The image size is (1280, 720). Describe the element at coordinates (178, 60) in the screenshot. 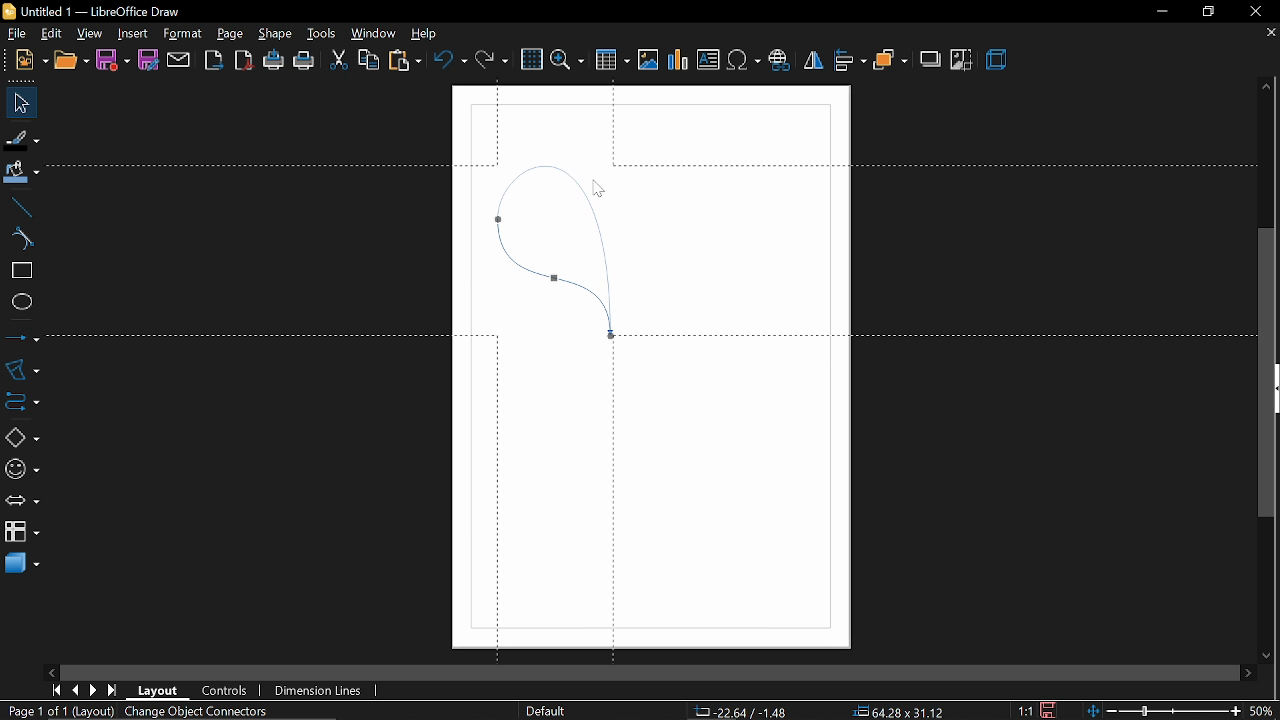

I see `attach` at that location.